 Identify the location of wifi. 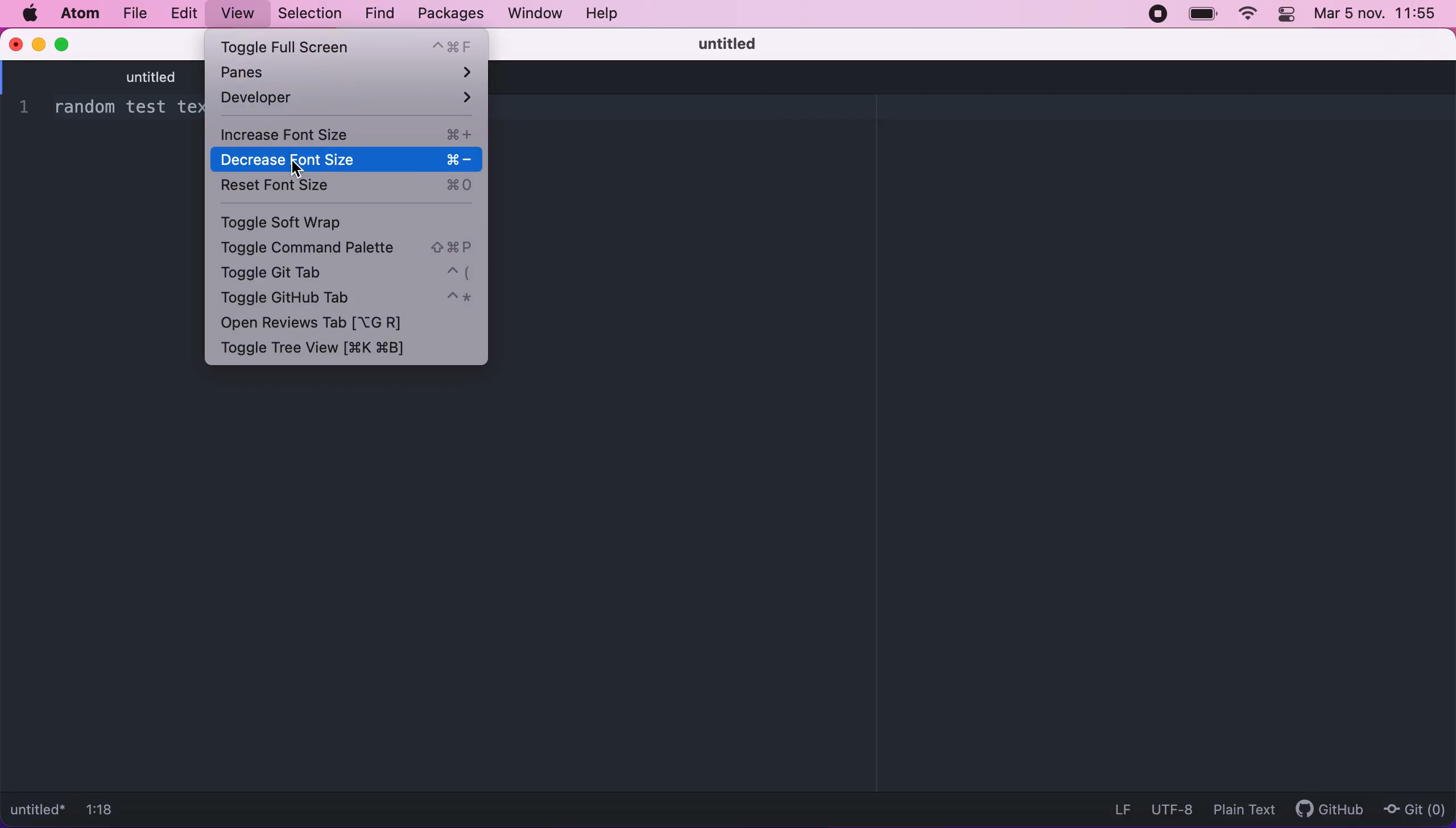
(1245, 14).